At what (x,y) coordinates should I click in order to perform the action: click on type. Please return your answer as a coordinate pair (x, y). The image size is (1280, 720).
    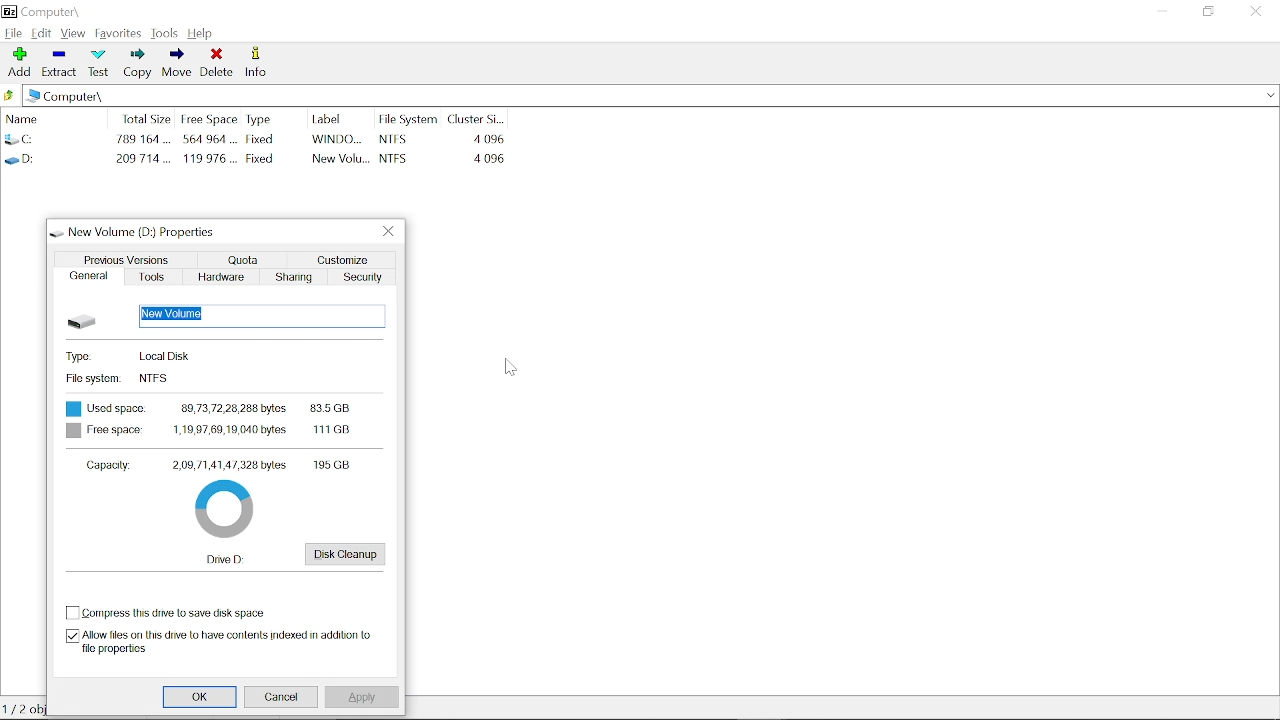
    Looking at the image, I should click on (261, 118).